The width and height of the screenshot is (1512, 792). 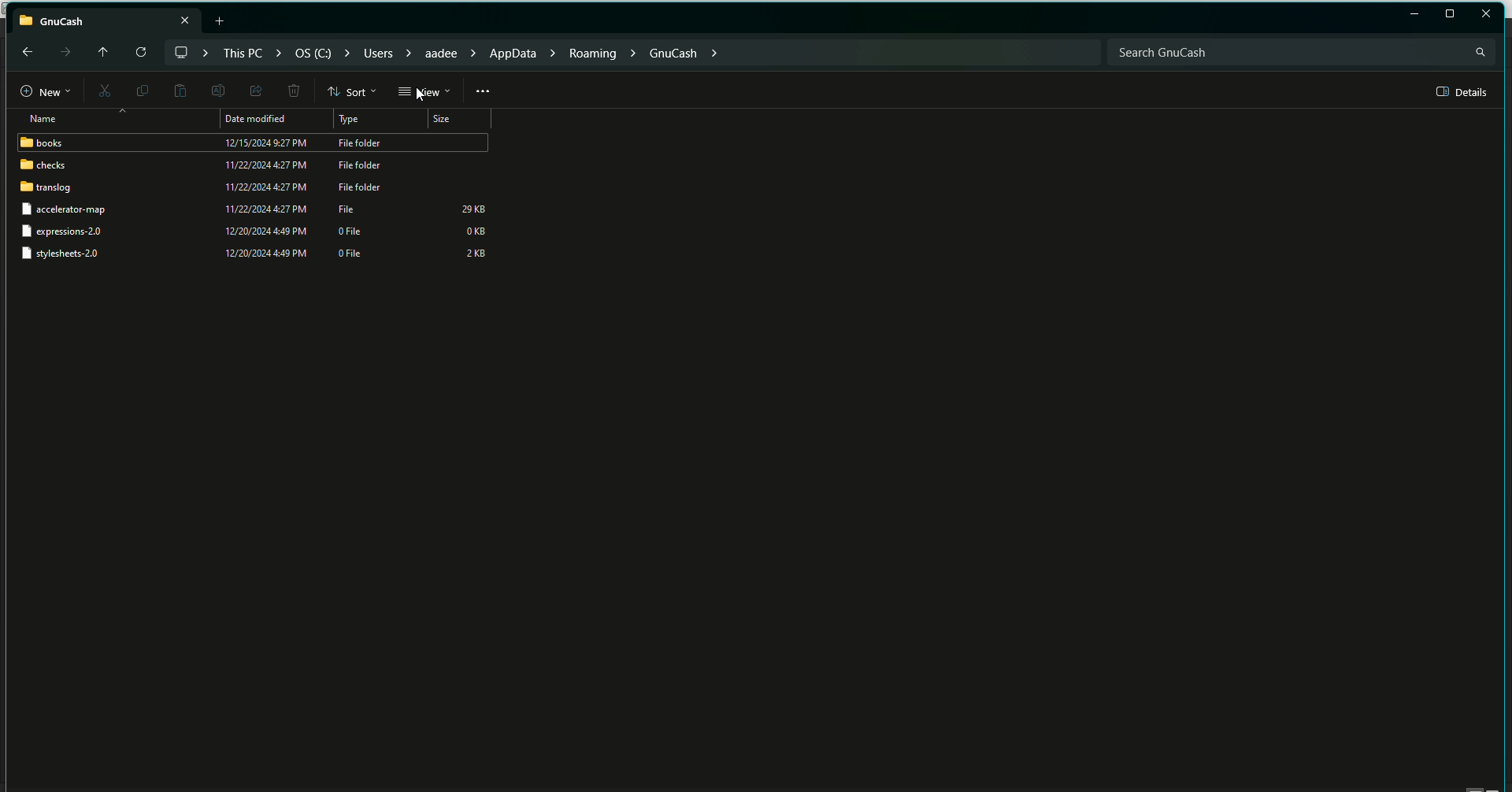 I want to click on Refresh, so click(x=139, y=53).